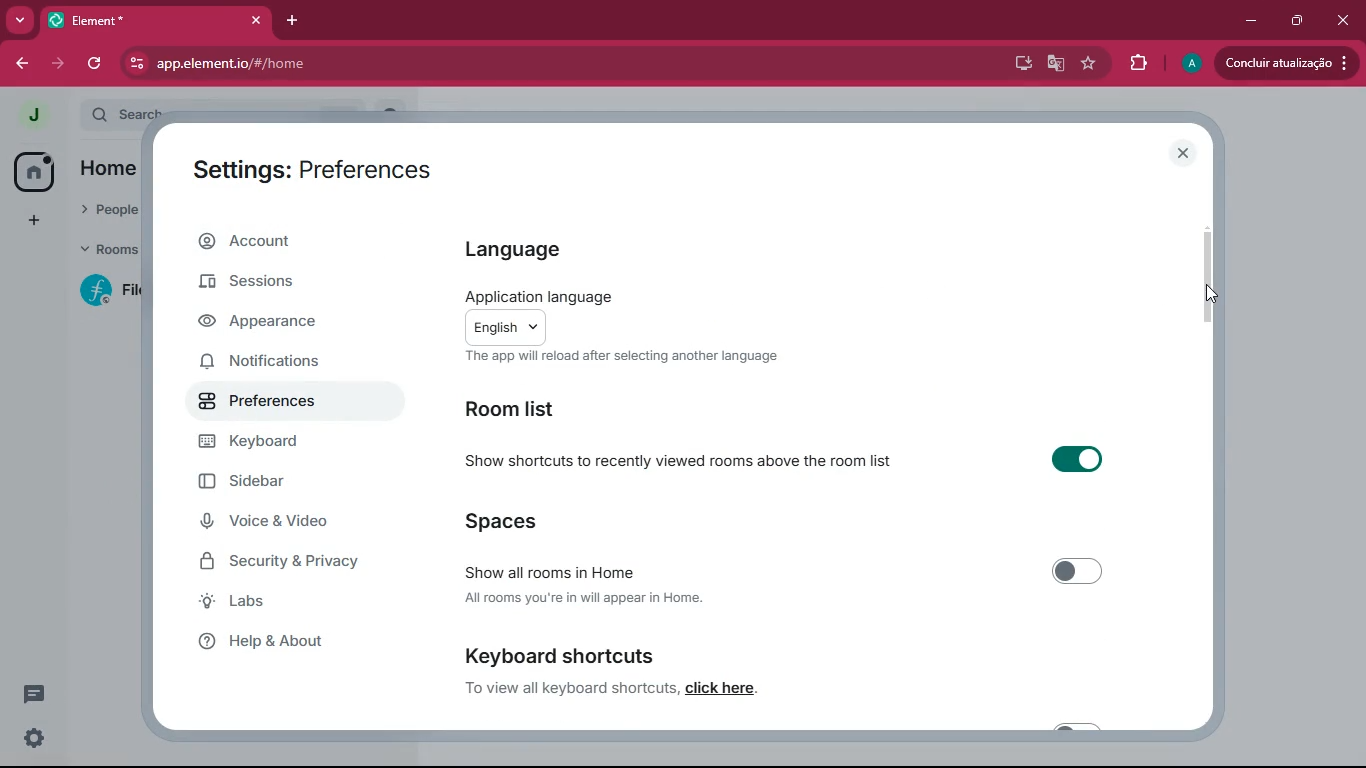 Image resolution: width=1366 pixels, height=768 pixels. I want to click on application language , so click(536, 295).